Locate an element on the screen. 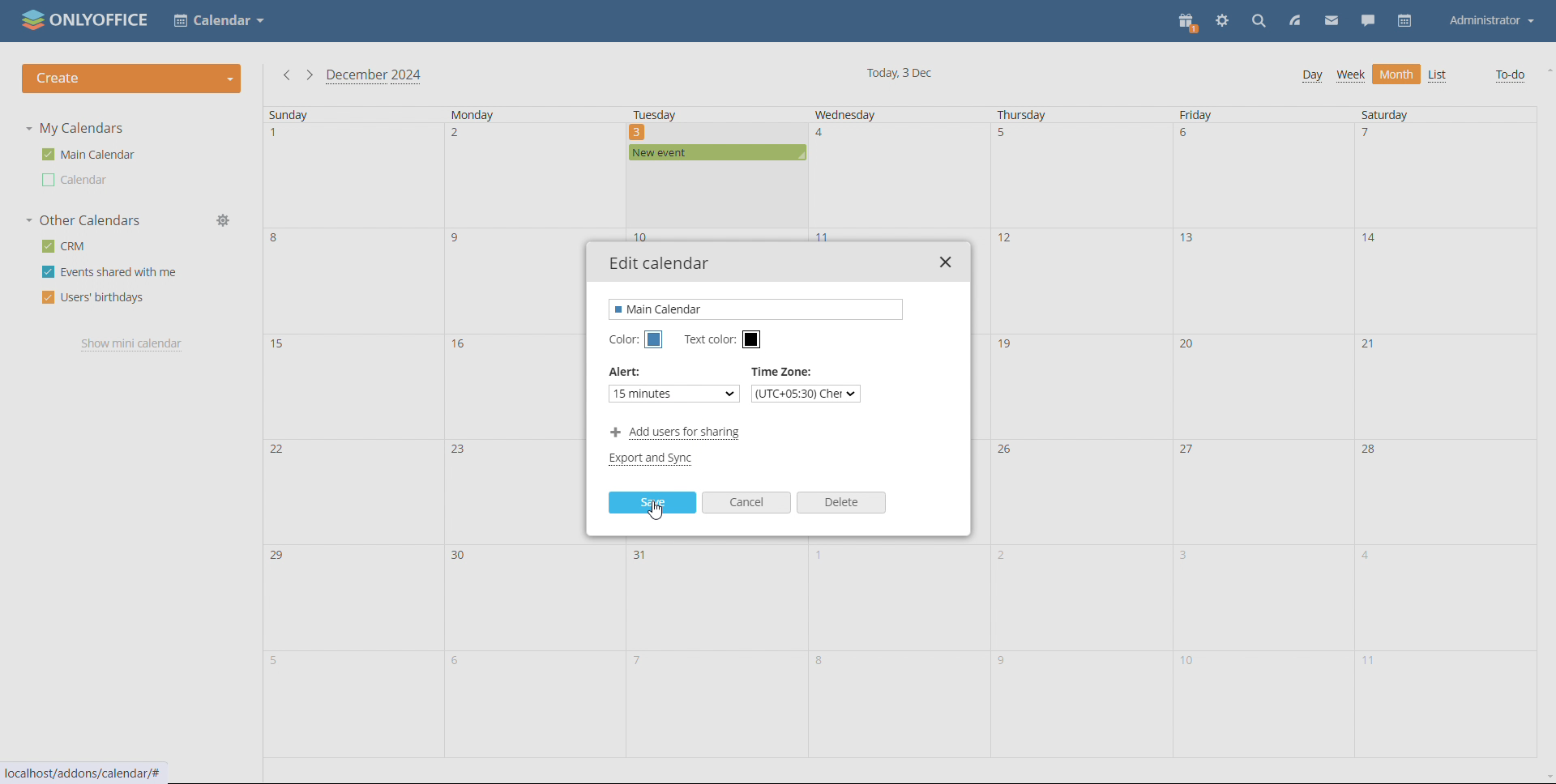 The width and height of the screenshot is (1556, 784). date is located at coordinates (1083, 176).